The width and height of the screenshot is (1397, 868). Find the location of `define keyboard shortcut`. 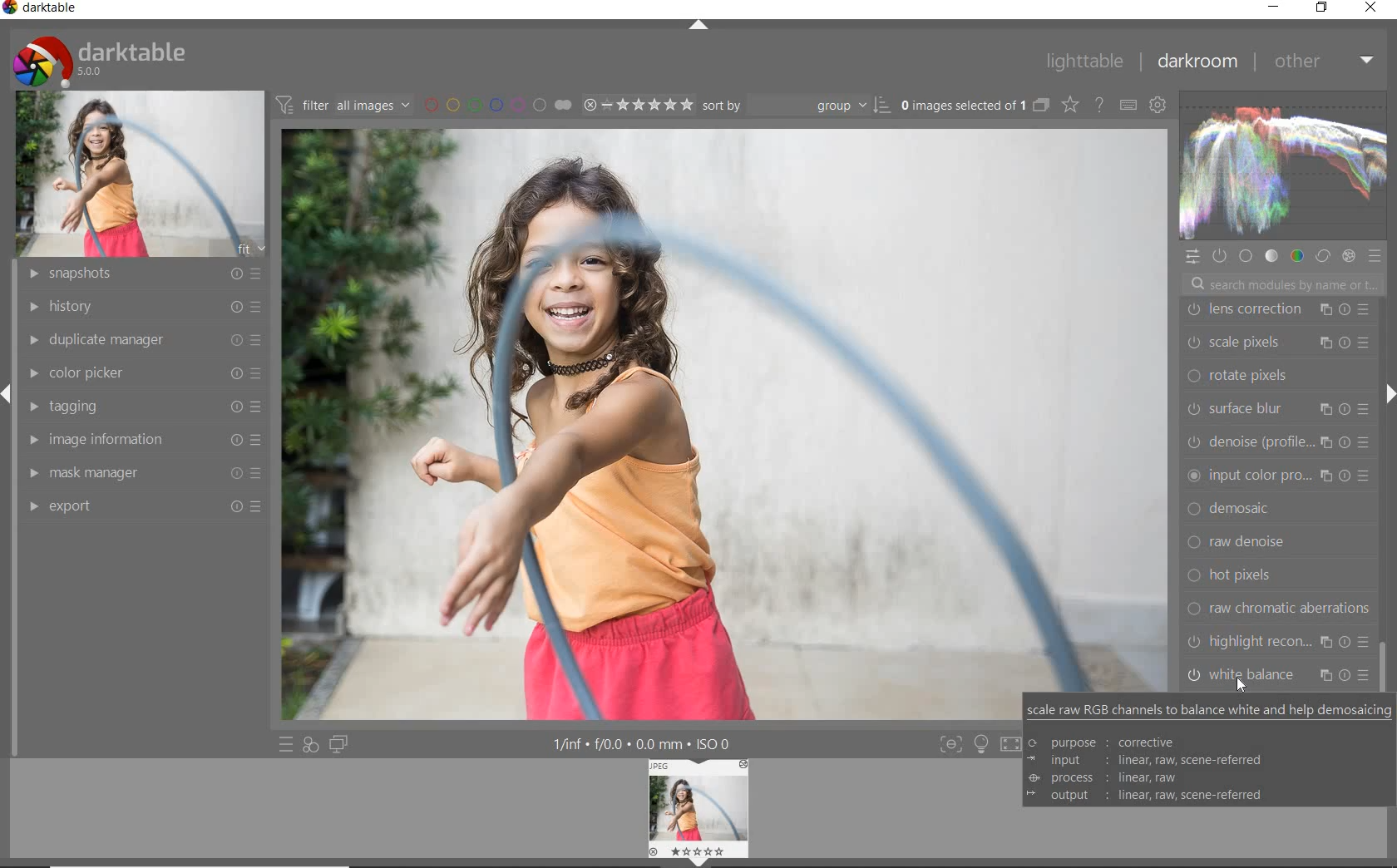

define keyboard shortcut is located at coordinates (1128, 105).